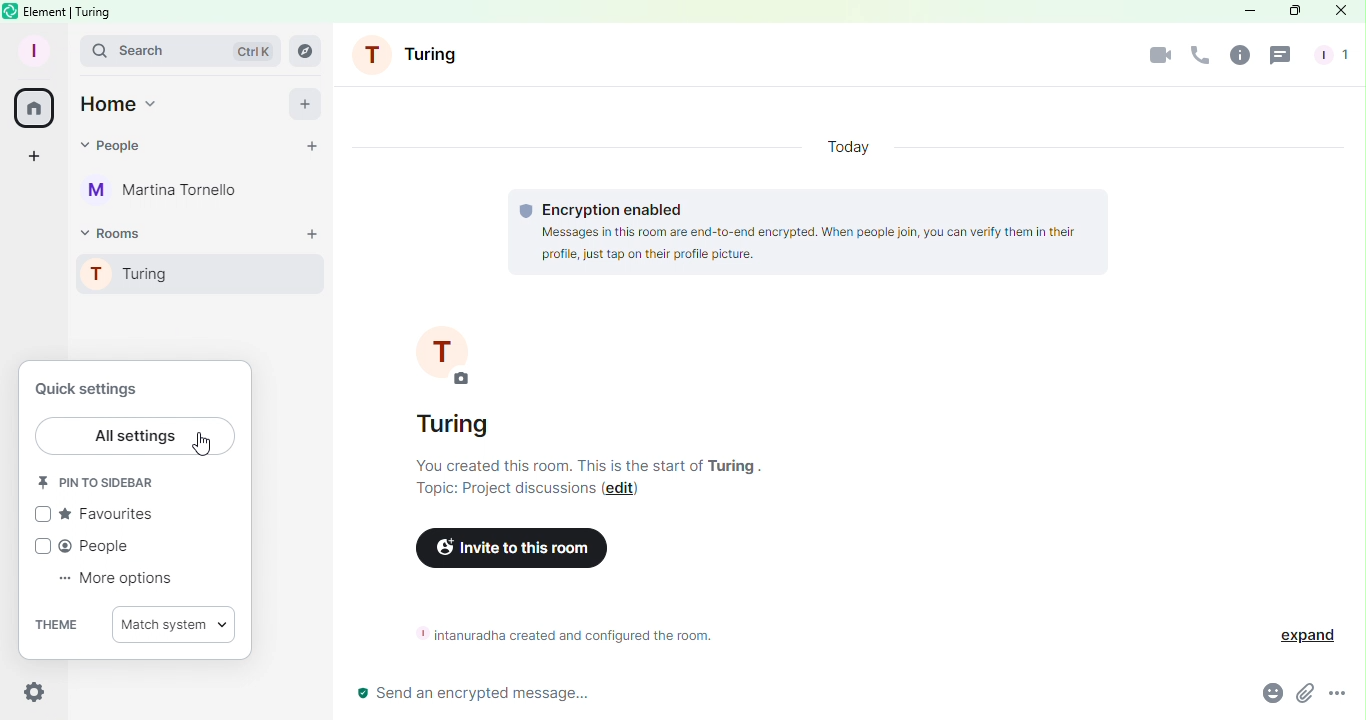 The height and width of the screenshot is (720, 1366). What do you see at coordinates (44, 515) in the screenshot?
I see `check box` at bounding box center [44, 515].